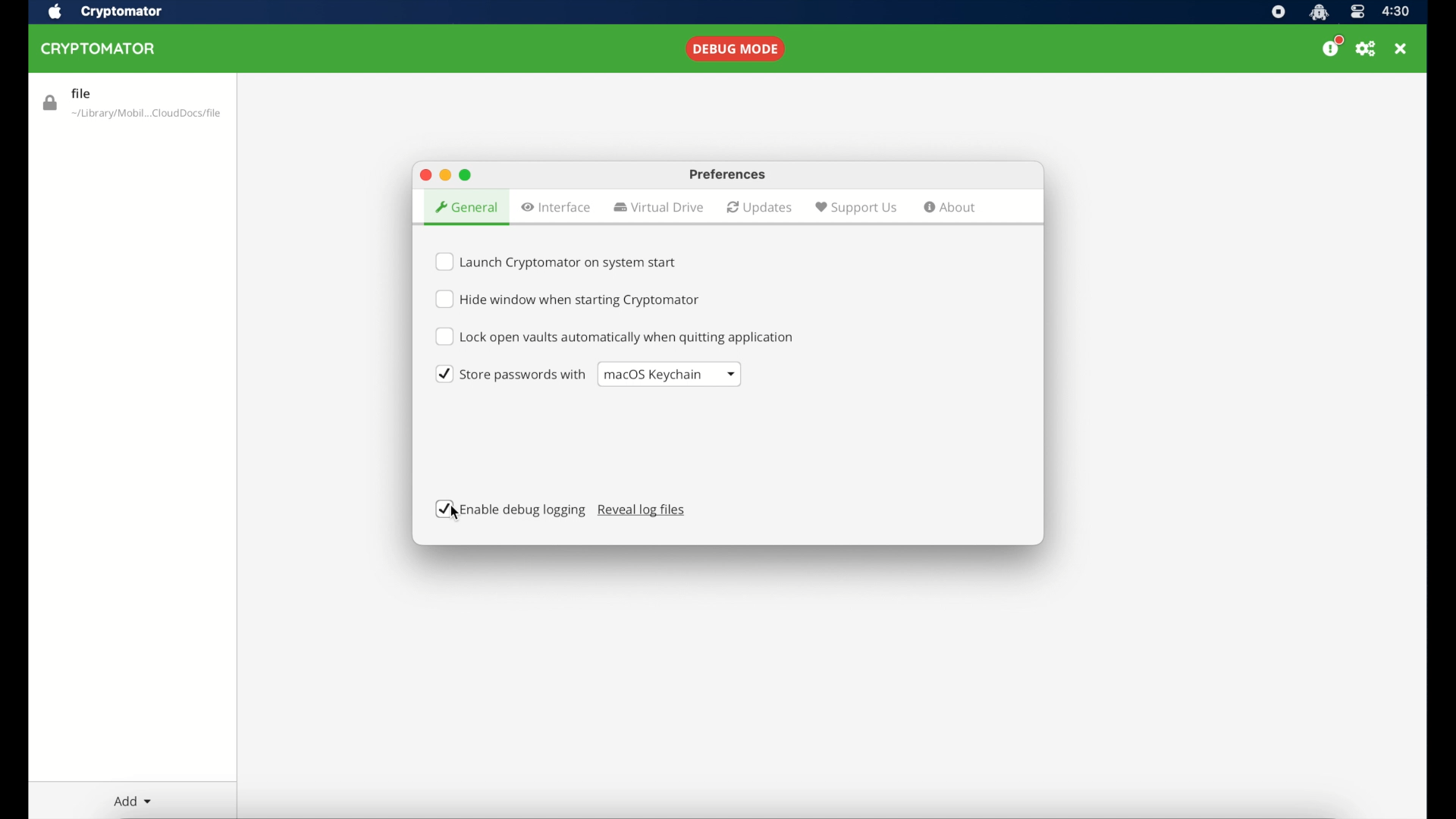 The width and height of the screenshot is (1456, 819). What do you see at coordinates (760, 208) in the screenshot?
I see `updates` at bounding box center [760, 208].